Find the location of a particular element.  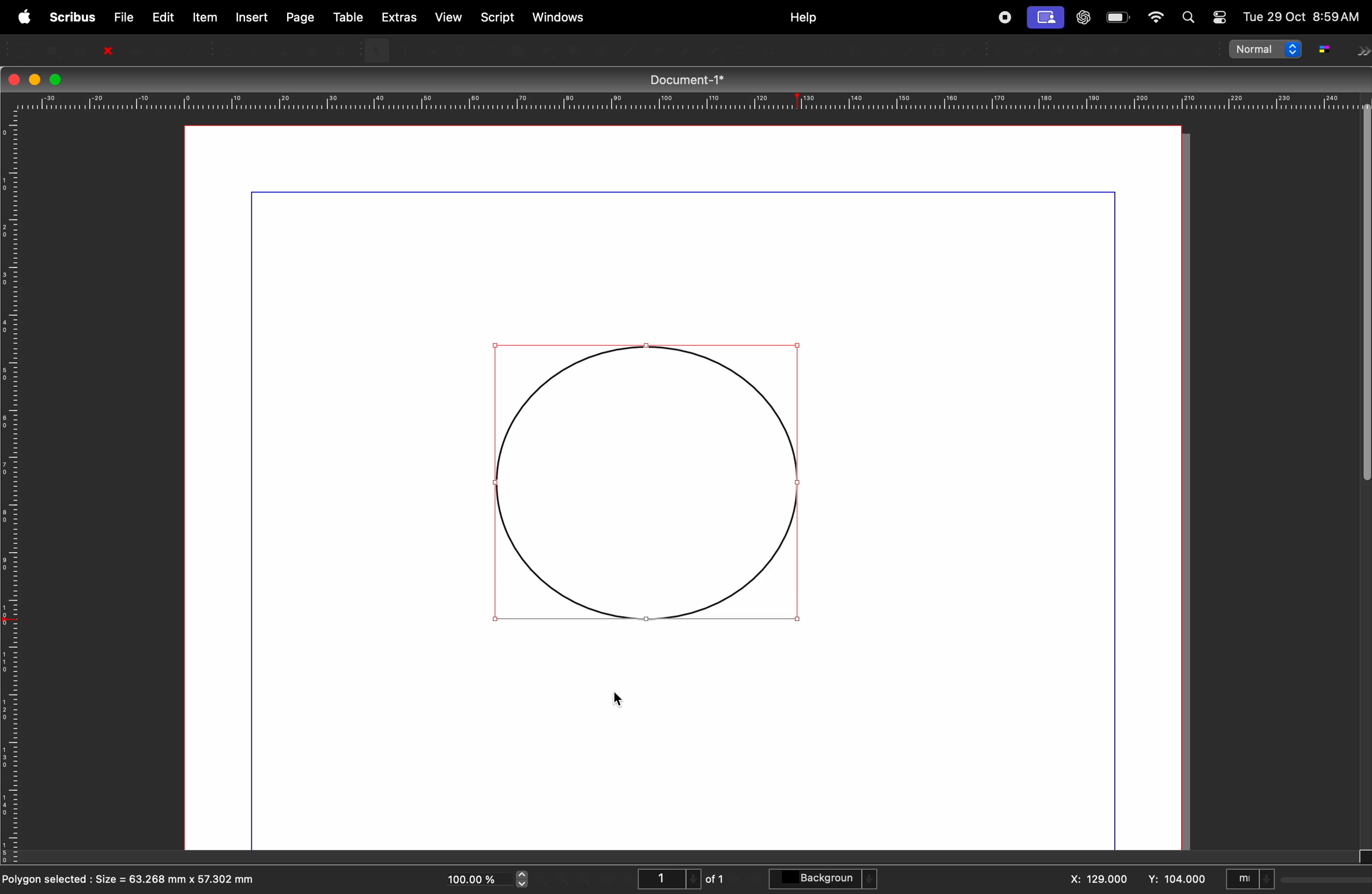

Text annotation is located at coordinates (1173, 51).